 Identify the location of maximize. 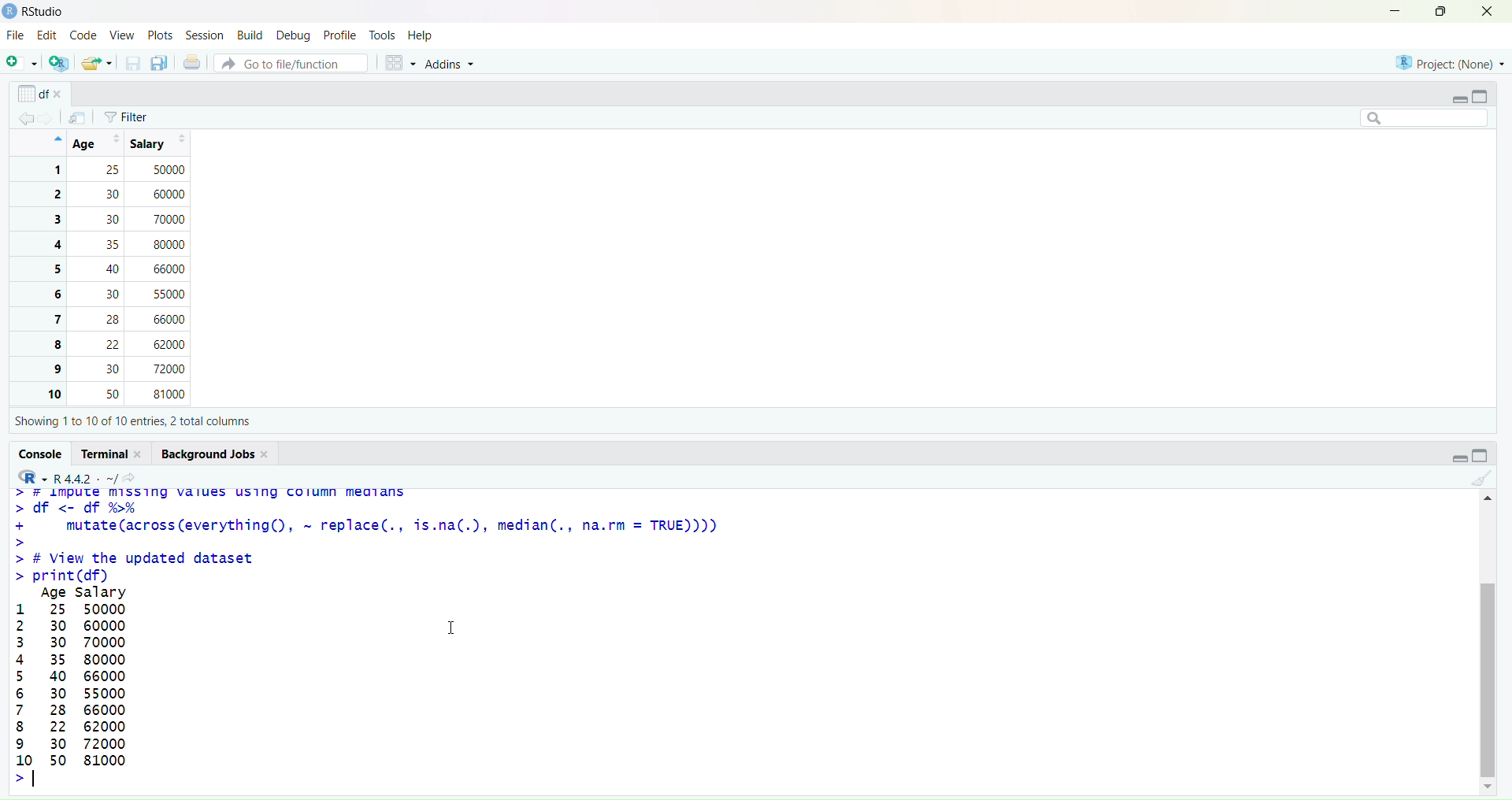
(1435, 11).